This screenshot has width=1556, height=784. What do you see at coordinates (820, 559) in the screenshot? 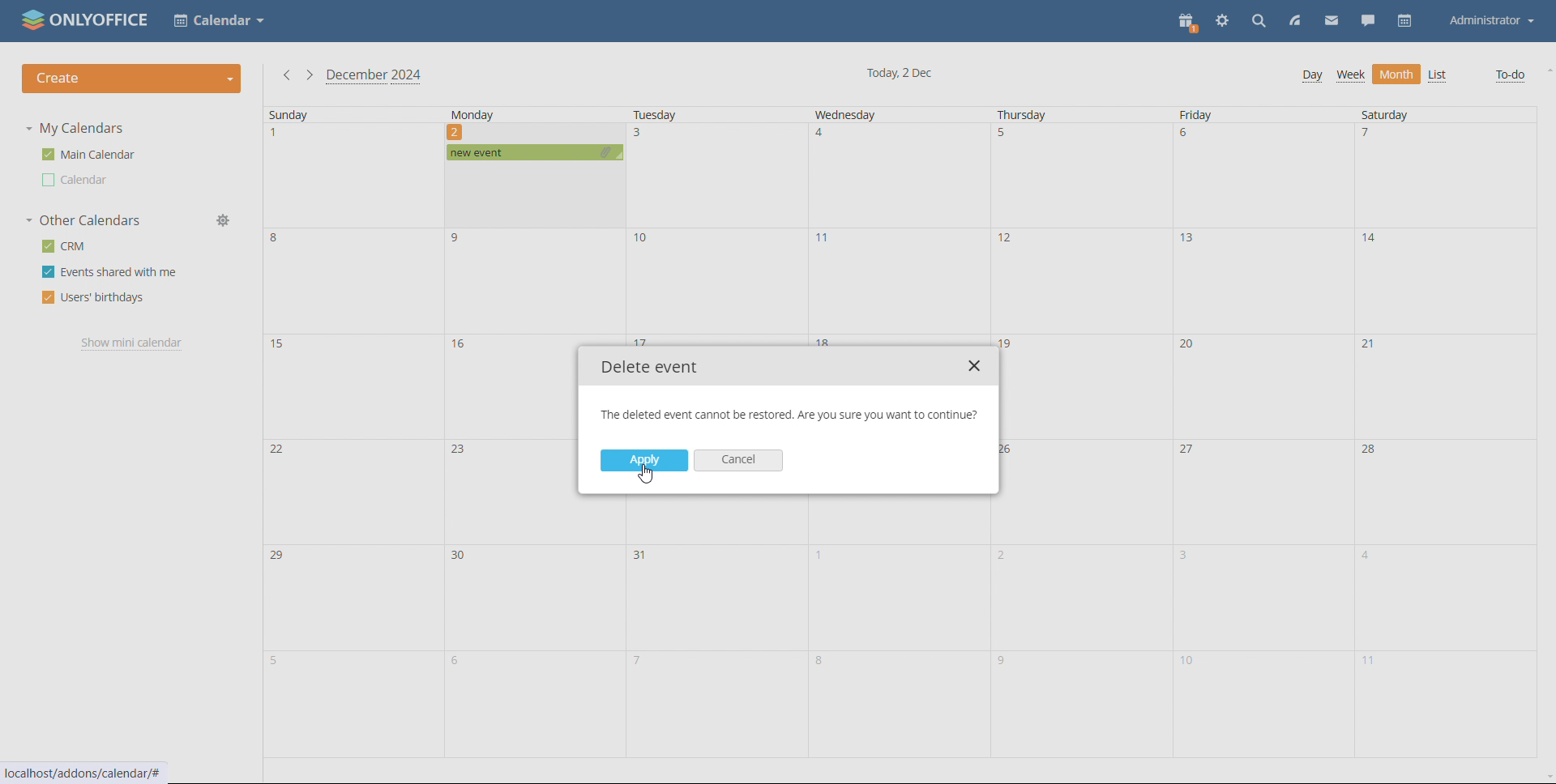
I see `1` at bounding box center [820, 559].